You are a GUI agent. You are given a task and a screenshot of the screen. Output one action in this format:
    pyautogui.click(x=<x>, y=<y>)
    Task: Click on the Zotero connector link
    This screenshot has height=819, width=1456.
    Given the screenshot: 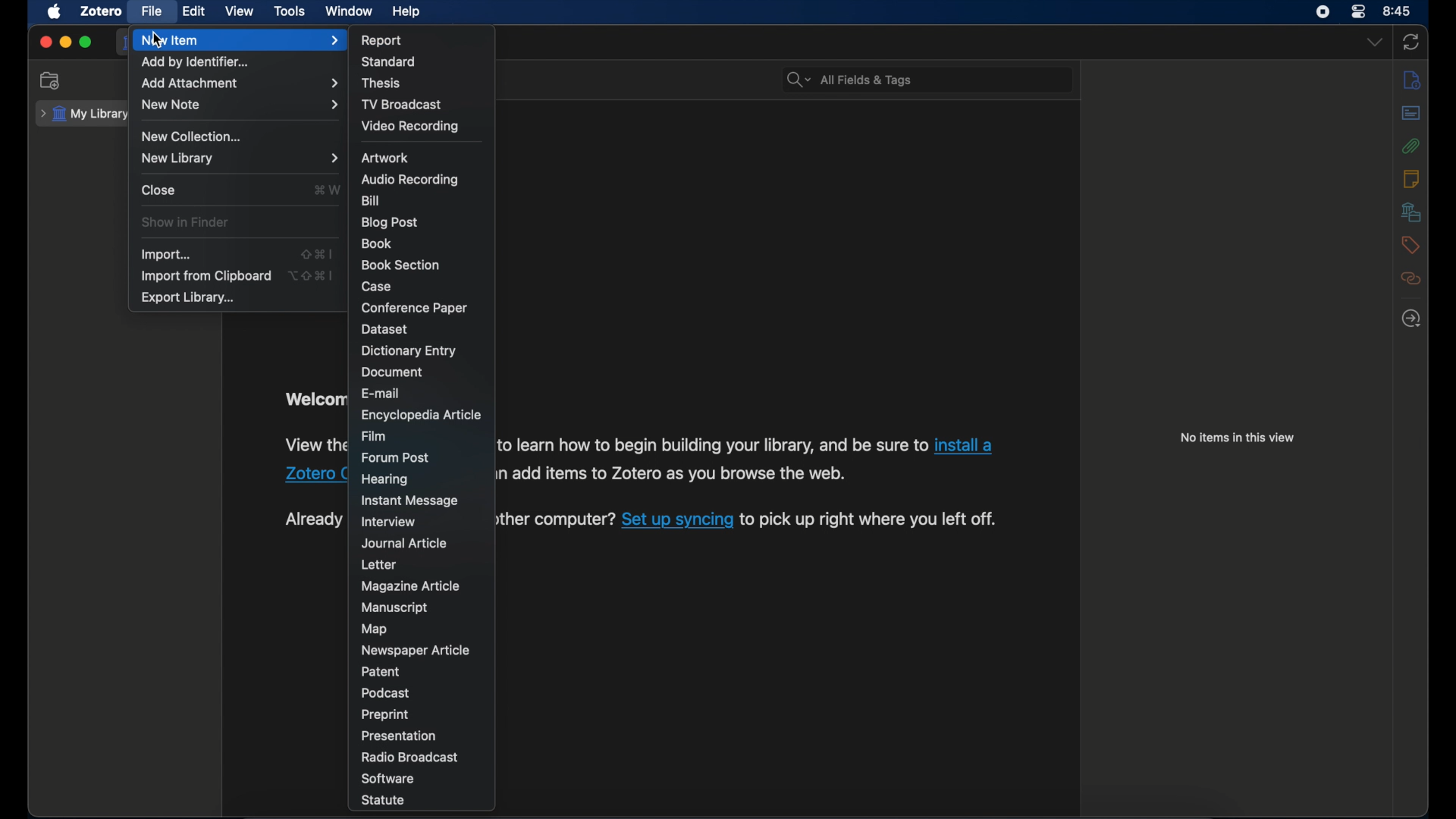 What is the action you would take?
    pyautogui.click(x=315, y=474)
    